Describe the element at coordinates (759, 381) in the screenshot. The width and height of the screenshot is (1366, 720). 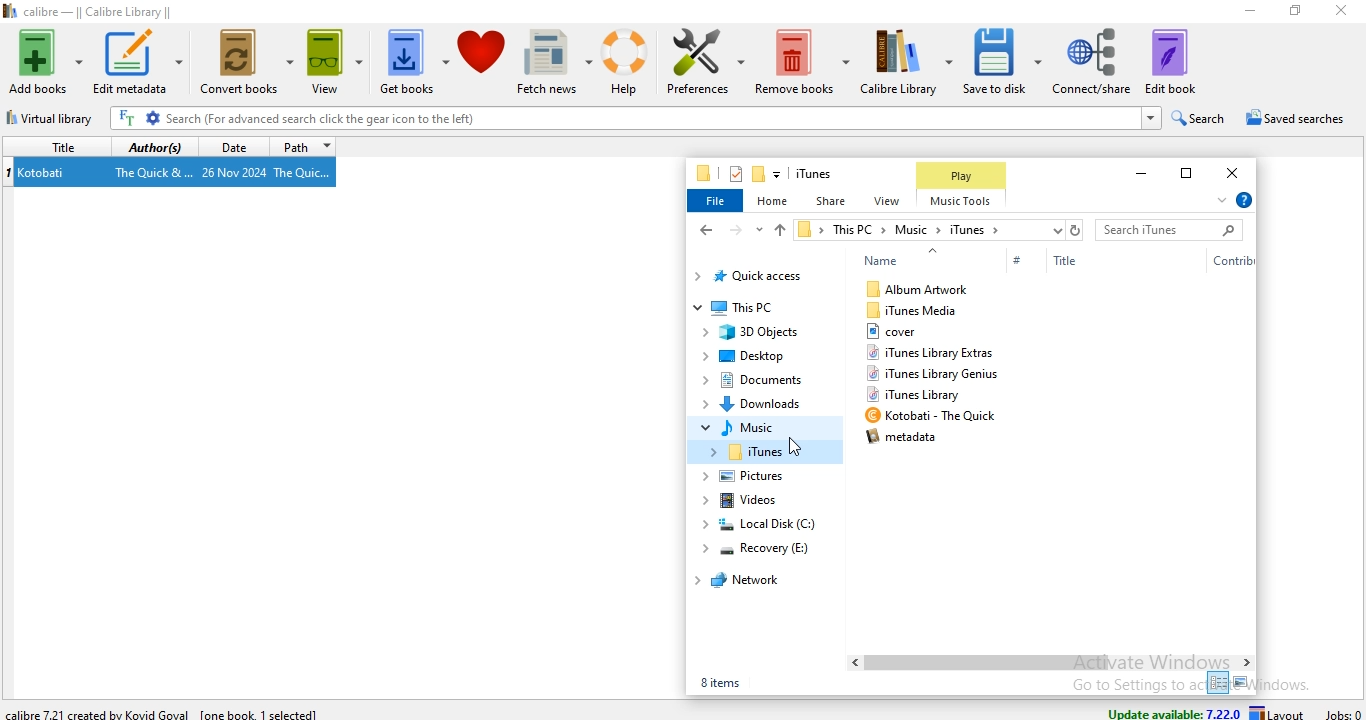
I see `documents` at that location.